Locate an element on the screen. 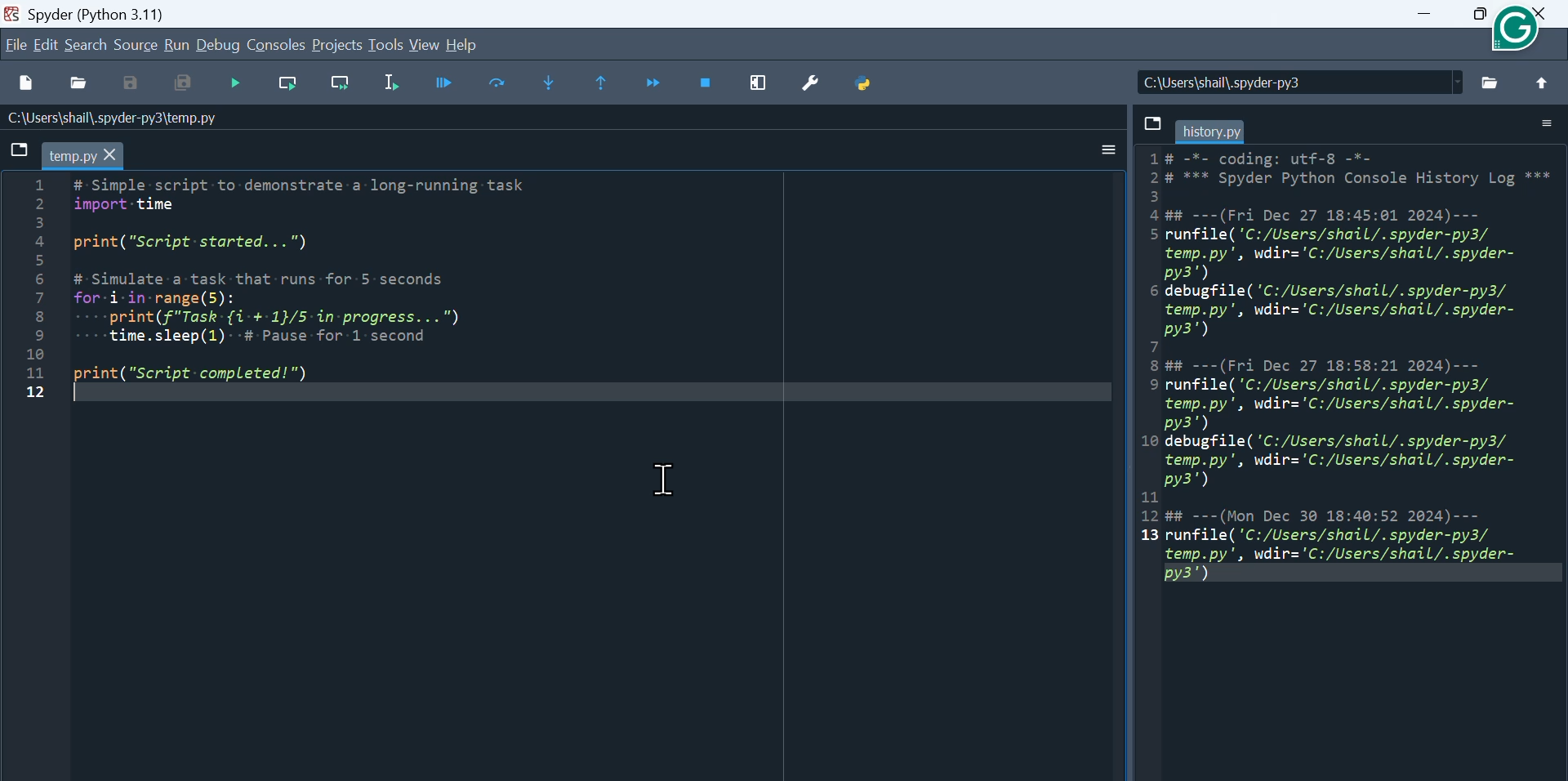 The width and height of the screenshot is (1568, 781). Edit is located at coordinates (46, 46).